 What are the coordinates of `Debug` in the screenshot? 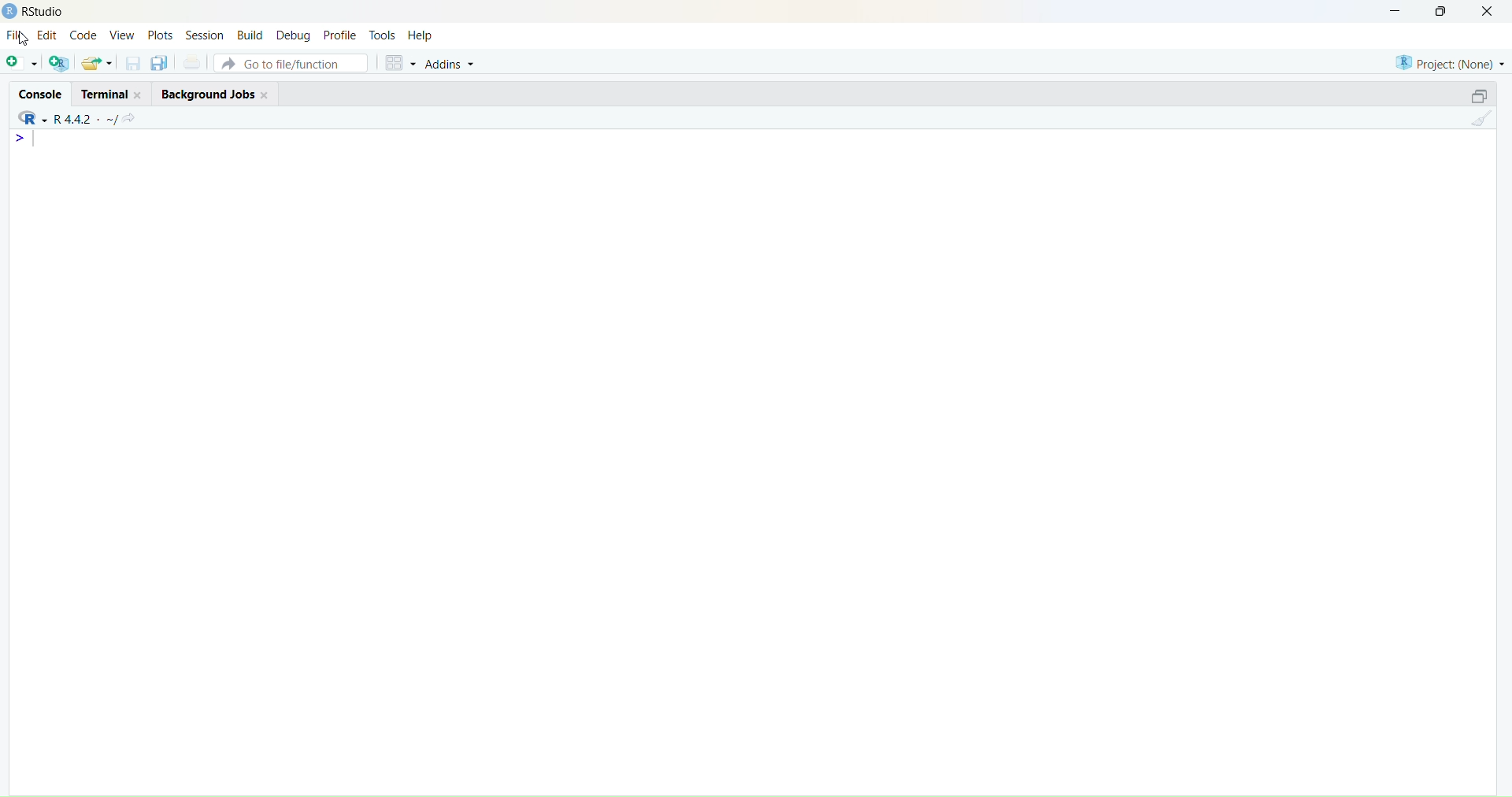 It's located at (294, 37).